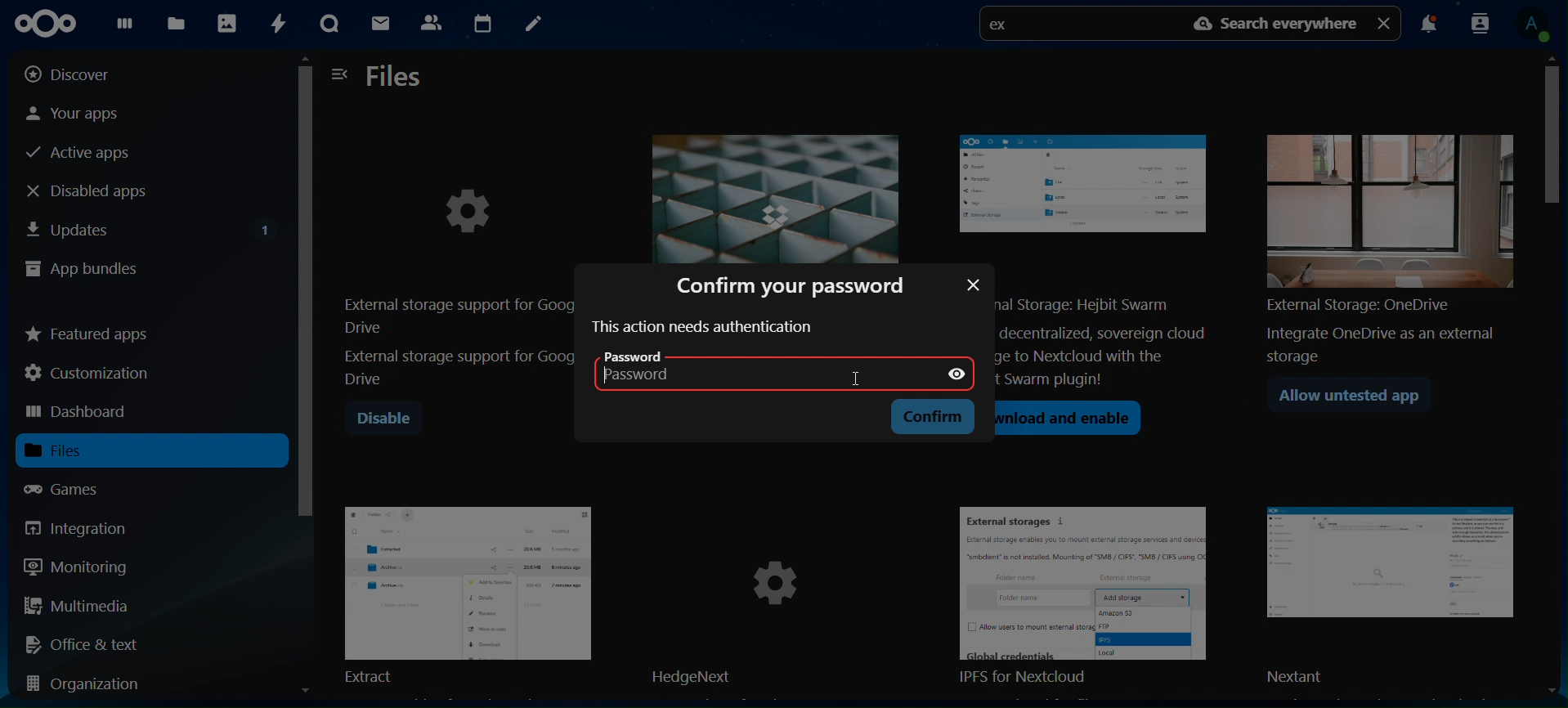 The height and width of the screenshot is (708, 1568). Describe the element at coordinates (1357, 398) in the screenshot. I see `allow untested app` at that location.